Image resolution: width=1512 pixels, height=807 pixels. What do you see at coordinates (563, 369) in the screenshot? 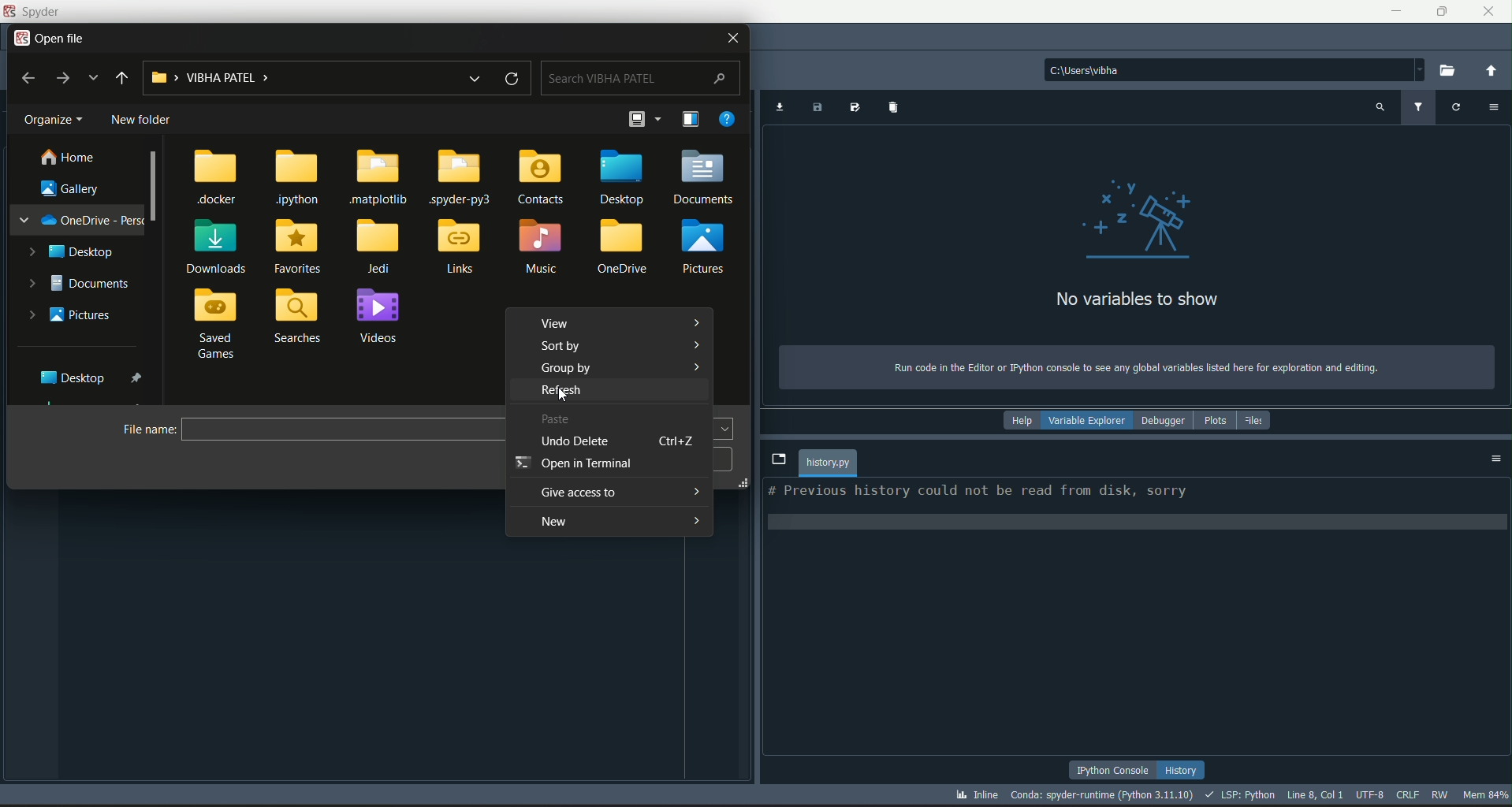
I see `group by` at bounding box center [563, 369].